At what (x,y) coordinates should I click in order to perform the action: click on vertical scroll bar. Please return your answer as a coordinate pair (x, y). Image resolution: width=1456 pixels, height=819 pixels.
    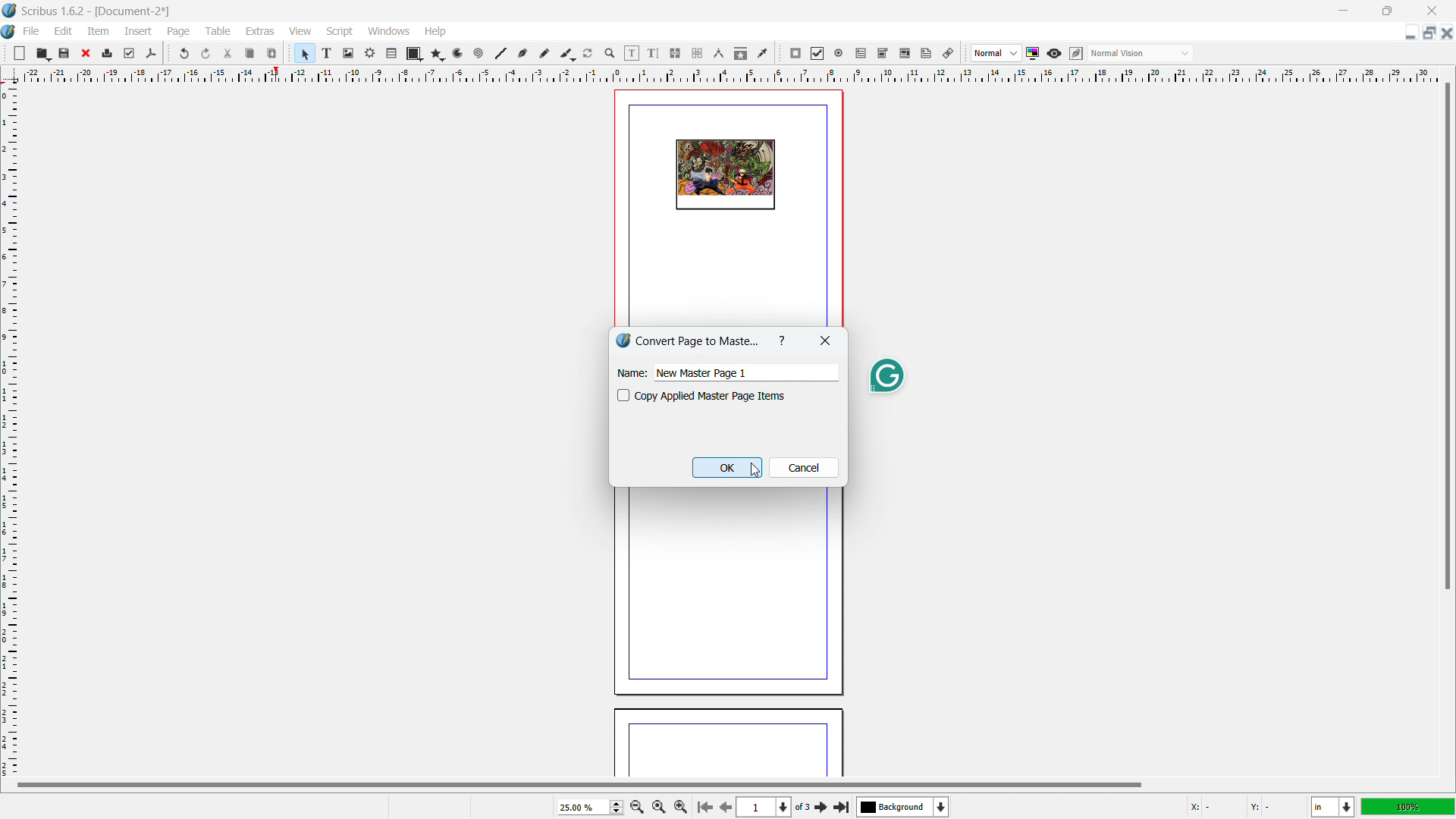
    Looking at the image, I should click on (1445, 337).